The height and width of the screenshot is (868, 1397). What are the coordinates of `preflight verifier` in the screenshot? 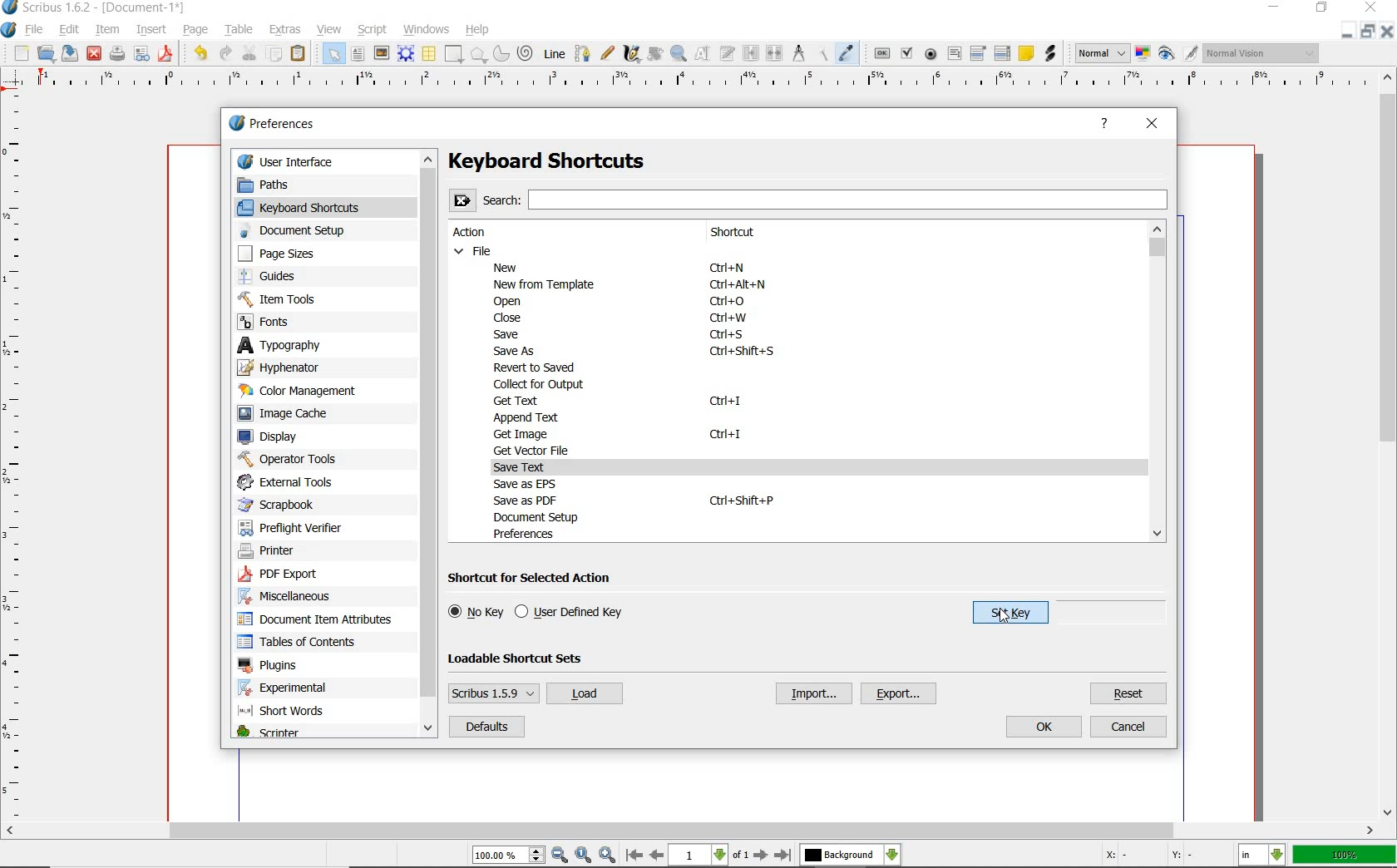 It's located at (116, 55).